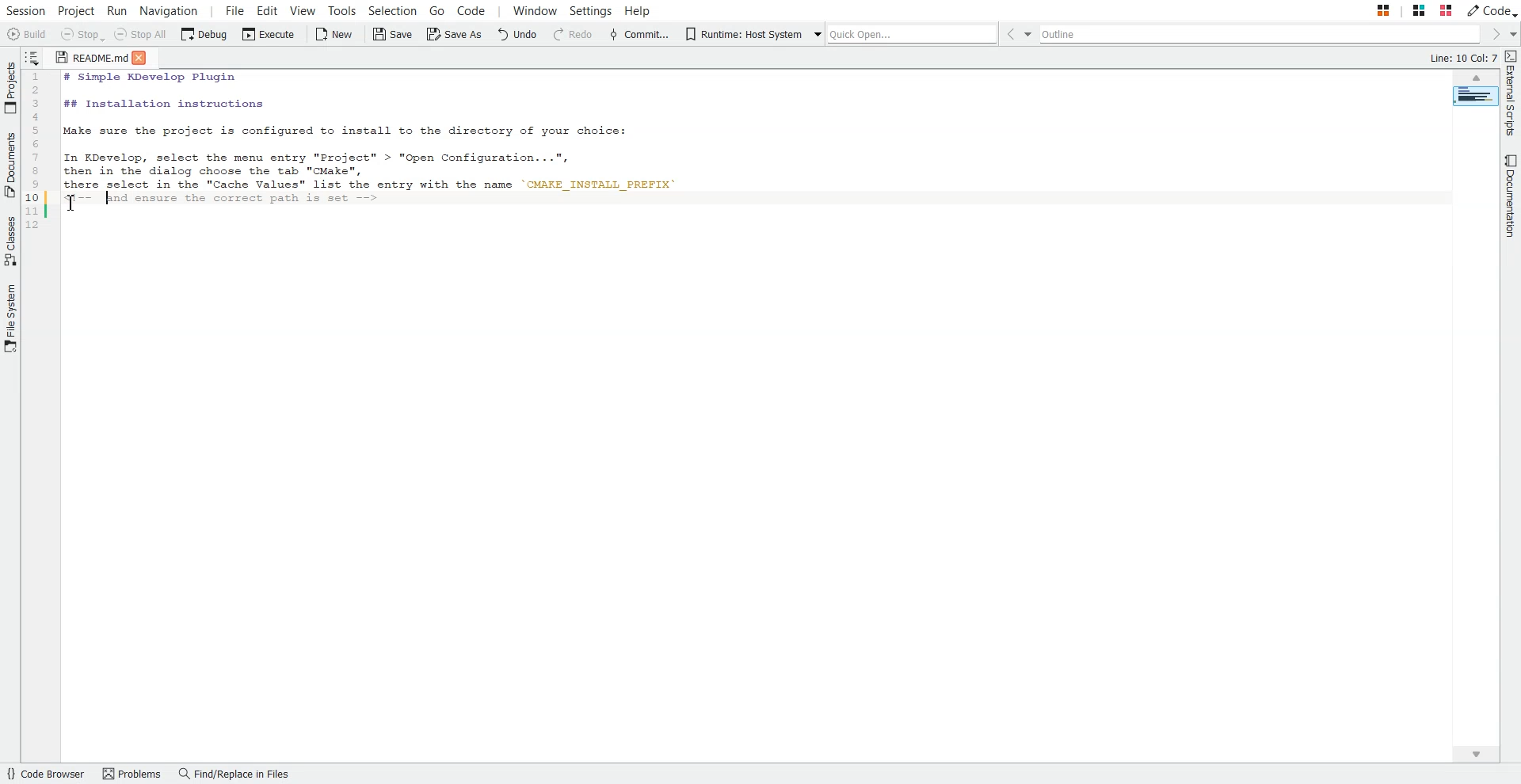  What do you see at coordinates (394, 10) in the screenshot?
I see `Selection` at bounding box center [394, 10].